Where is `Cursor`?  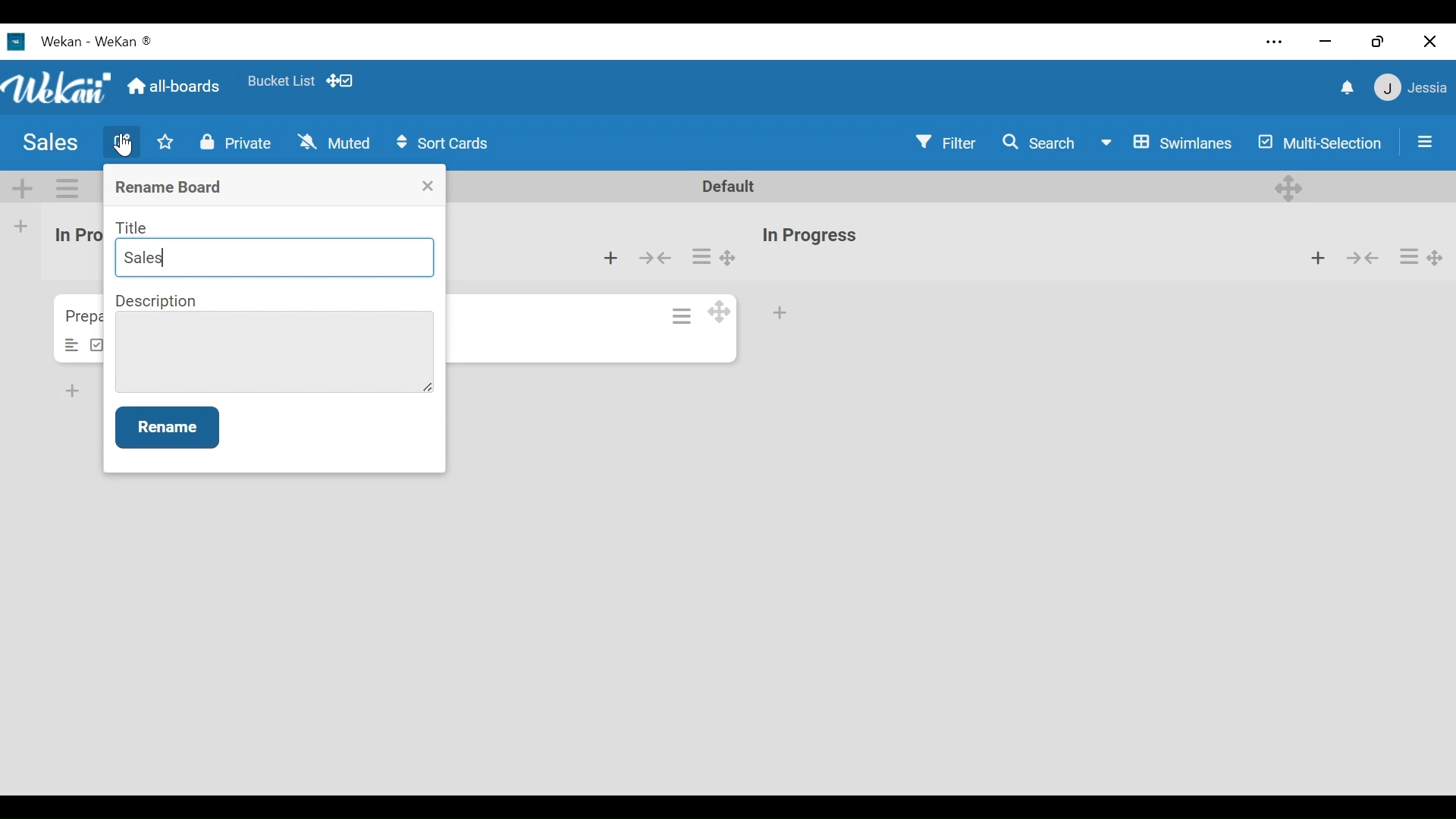
Cursor is located at coordinates (125, 146).